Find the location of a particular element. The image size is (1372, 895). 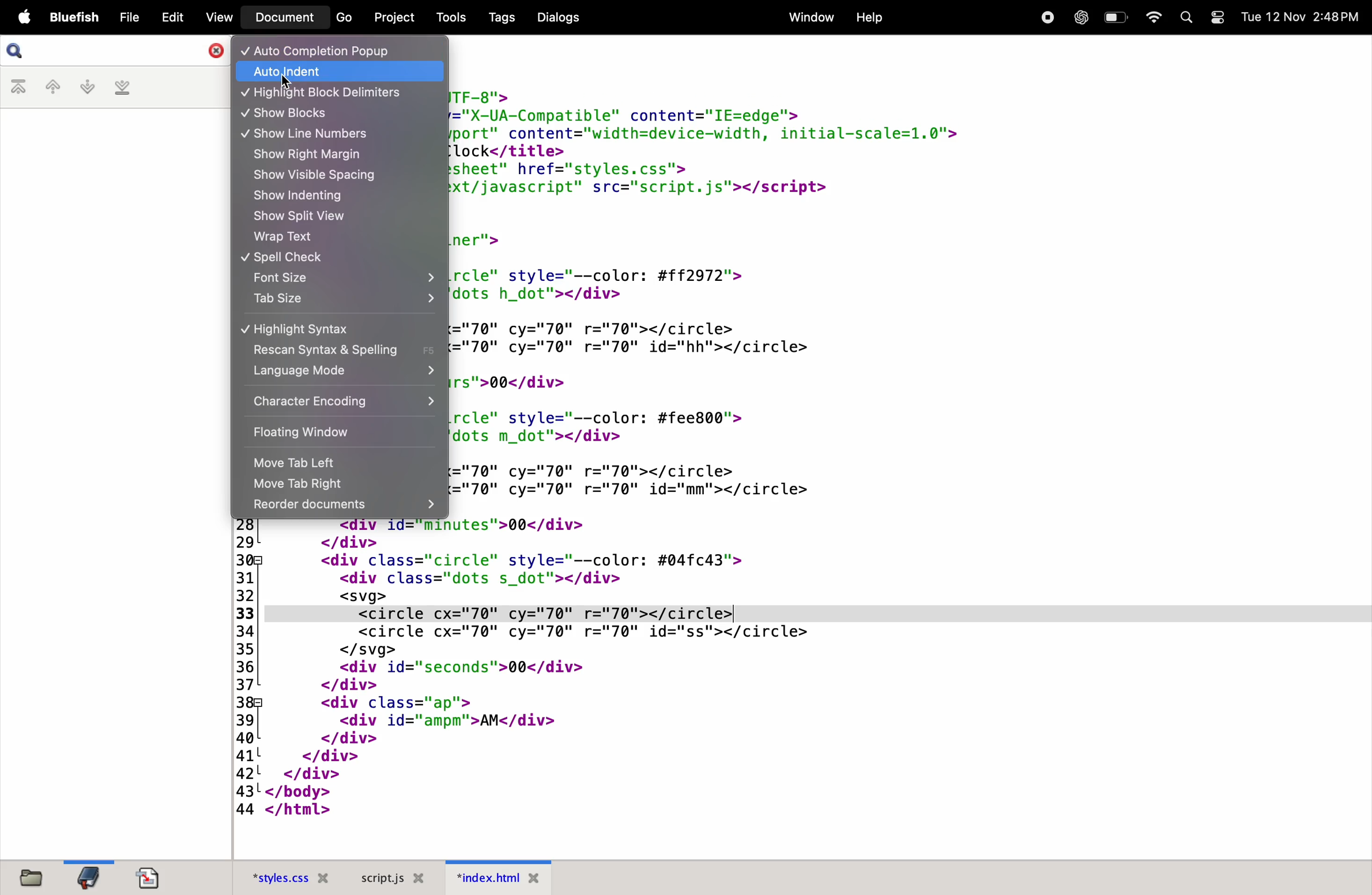

chatgpt is located at coordinates (1079, 17).